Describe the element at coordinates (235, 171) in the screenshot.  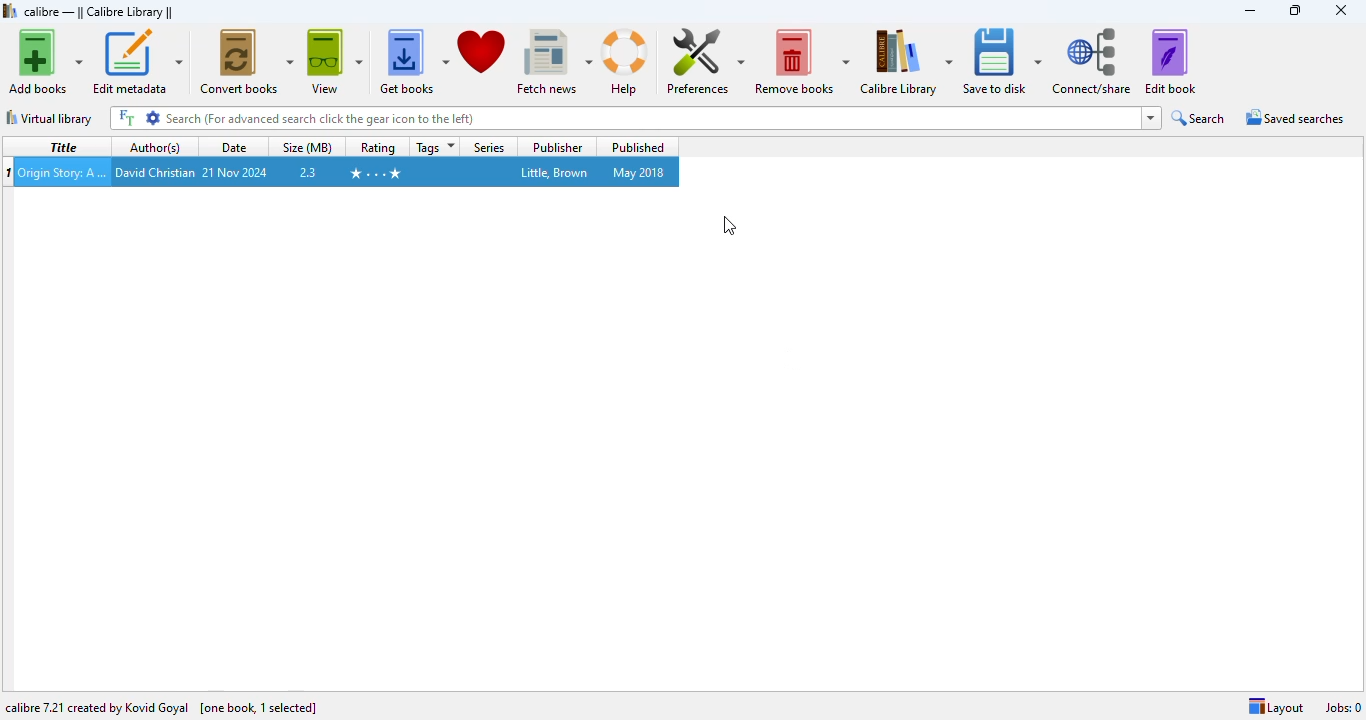
I see `21 Nov 2024` at that location.